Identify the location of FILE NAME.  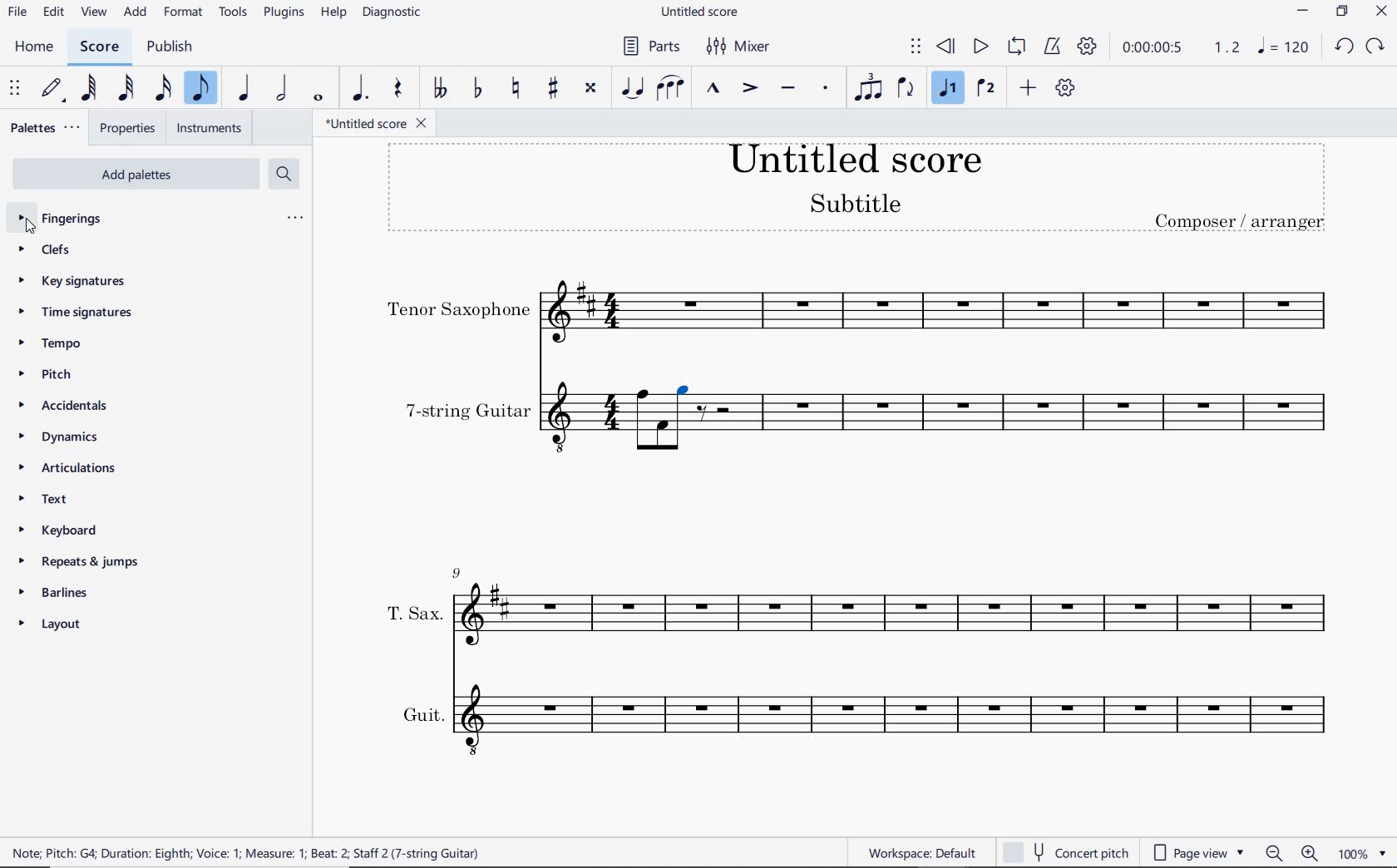
(701, 13).